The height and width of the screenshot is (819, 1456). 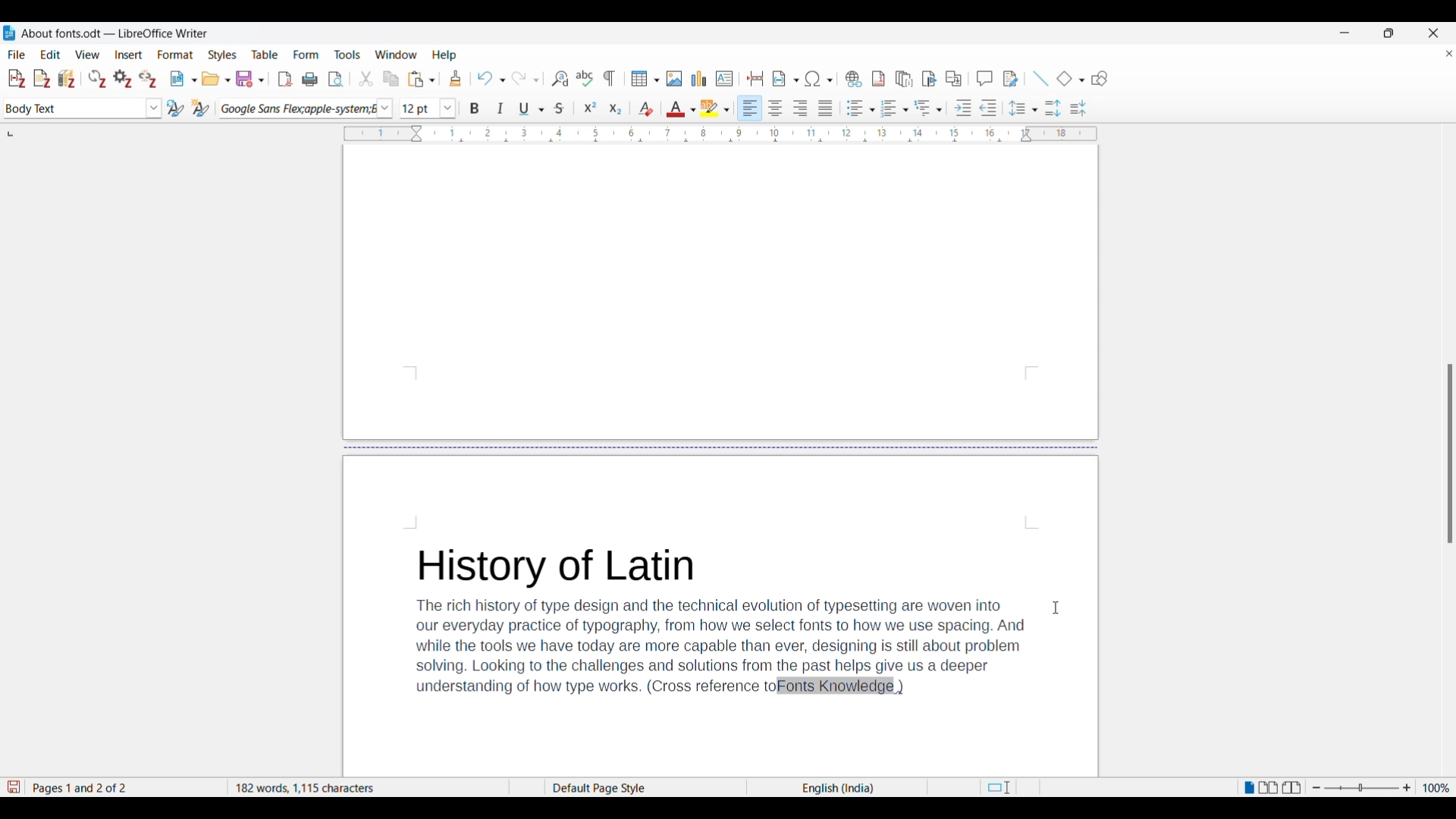 I want to click on Clear direct formatting , so click(x=646, y=108).